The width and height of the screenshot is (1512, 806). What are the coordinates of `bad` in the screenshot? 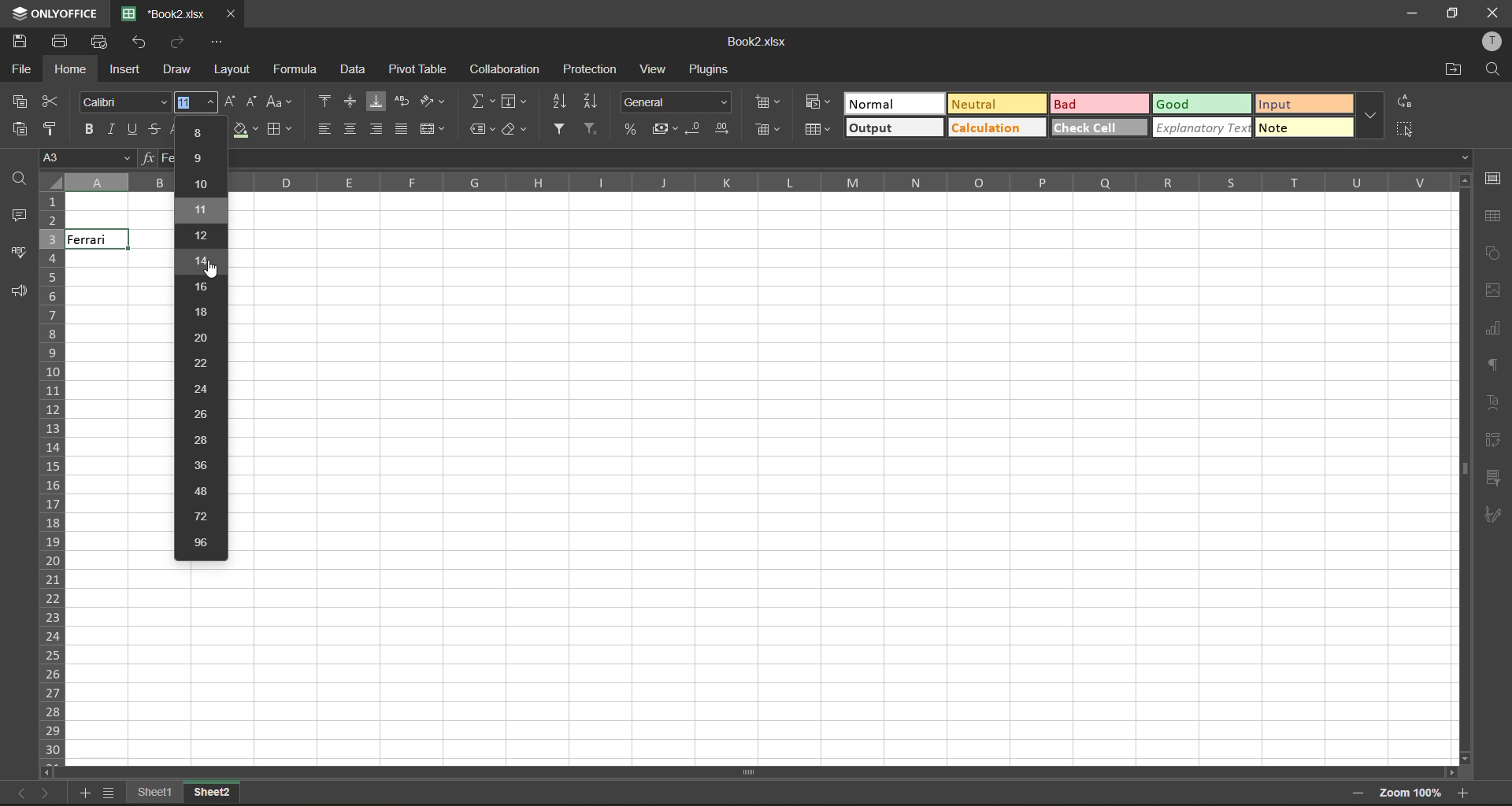 It's located at (1091, 104).